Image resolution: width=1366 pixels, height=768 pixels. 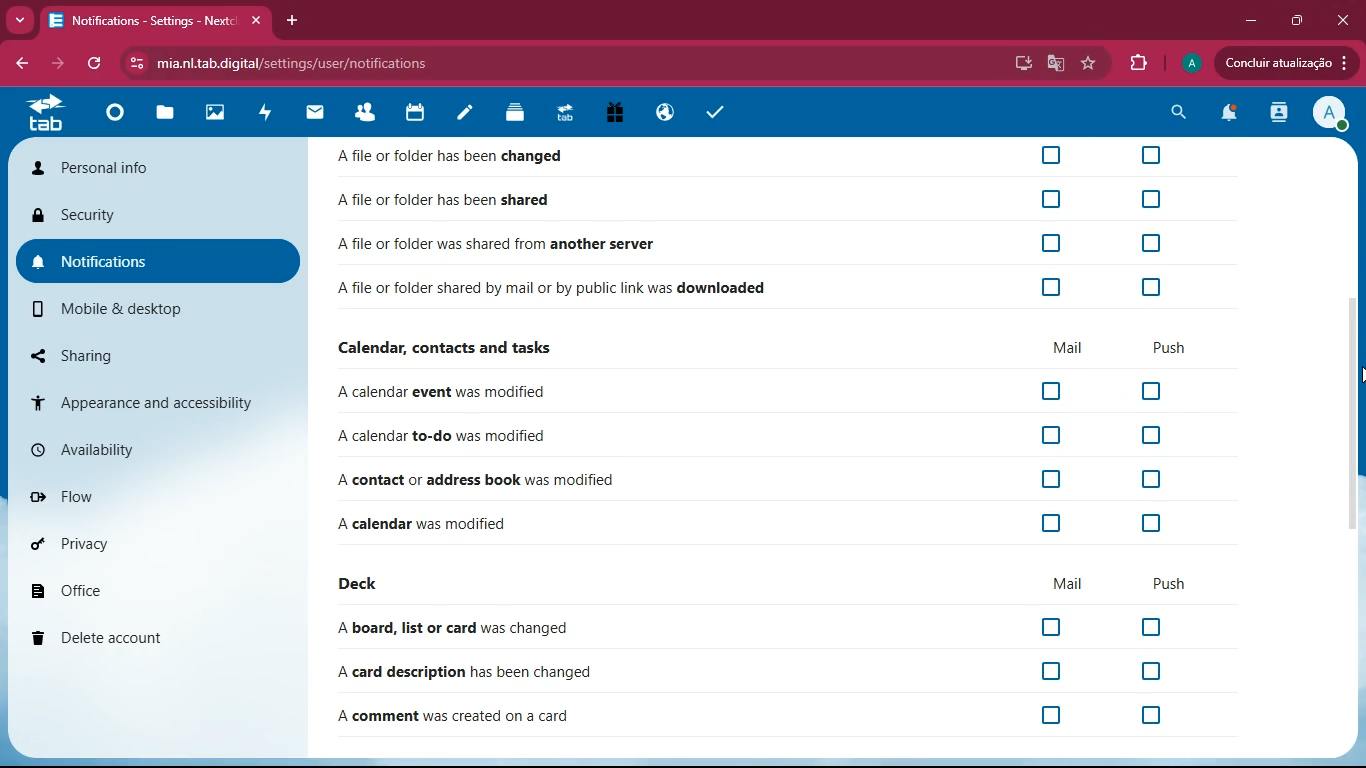 I want to click on appearance and accessibility, so click(x=157, y=398).